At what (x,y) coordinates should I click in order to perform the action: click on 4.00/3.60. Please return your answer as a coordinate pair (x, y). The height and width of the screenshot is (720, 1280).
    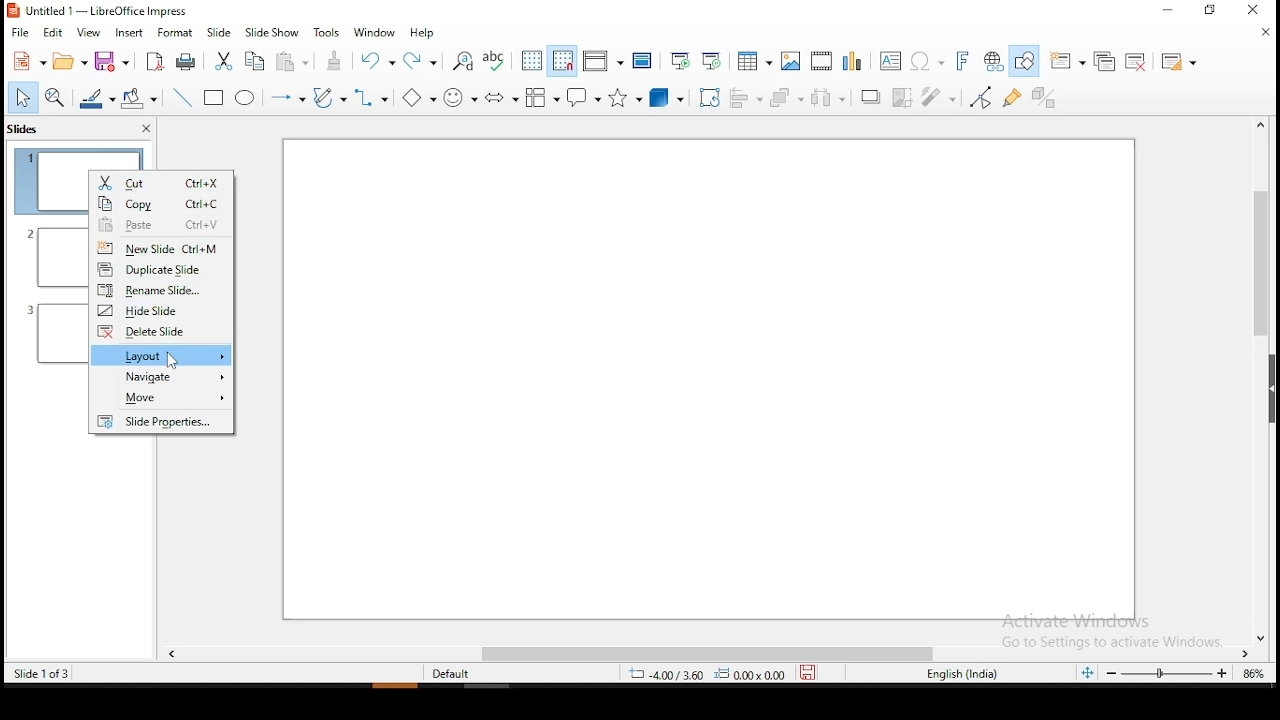
    Looking at the image, I should click on (668, 675).